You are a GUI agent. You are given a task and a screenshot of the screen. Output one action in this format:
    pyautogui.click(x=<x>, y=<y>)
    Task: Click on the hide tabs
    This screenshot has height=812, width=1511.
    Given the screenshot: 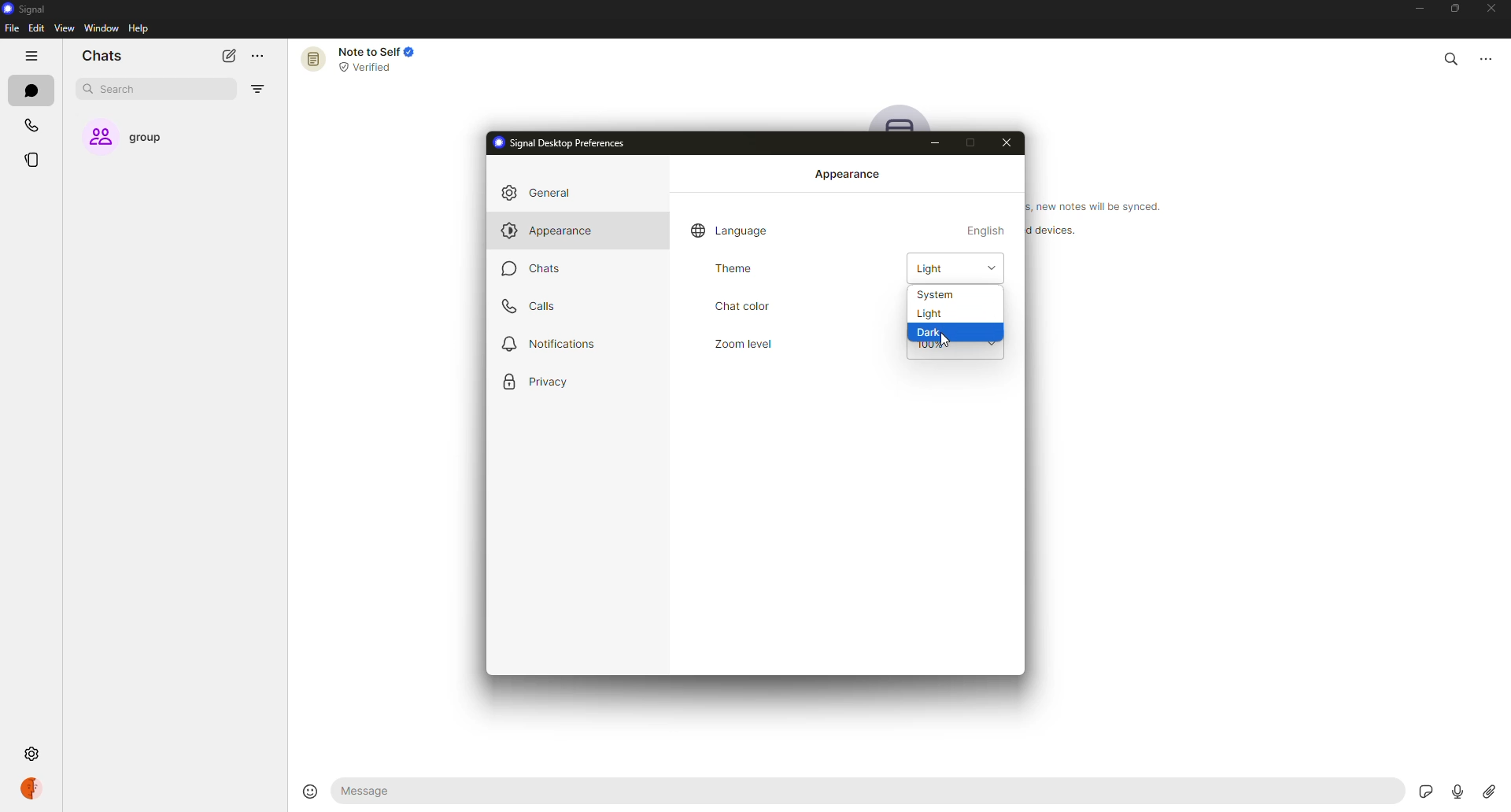 What is the action you would take?
    pyautogui.click(x=33, y=57)
    